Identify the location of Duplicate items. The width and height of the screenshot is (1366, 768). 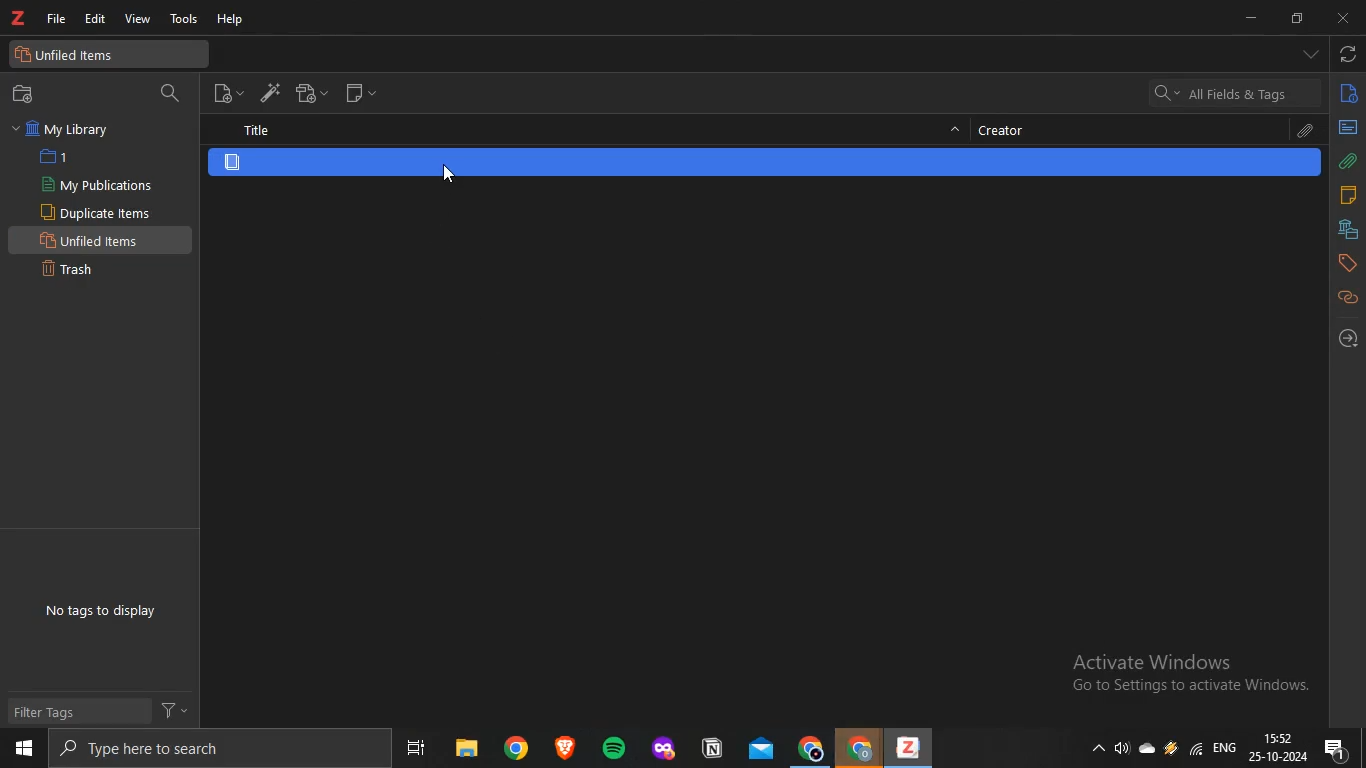
(97, 212).